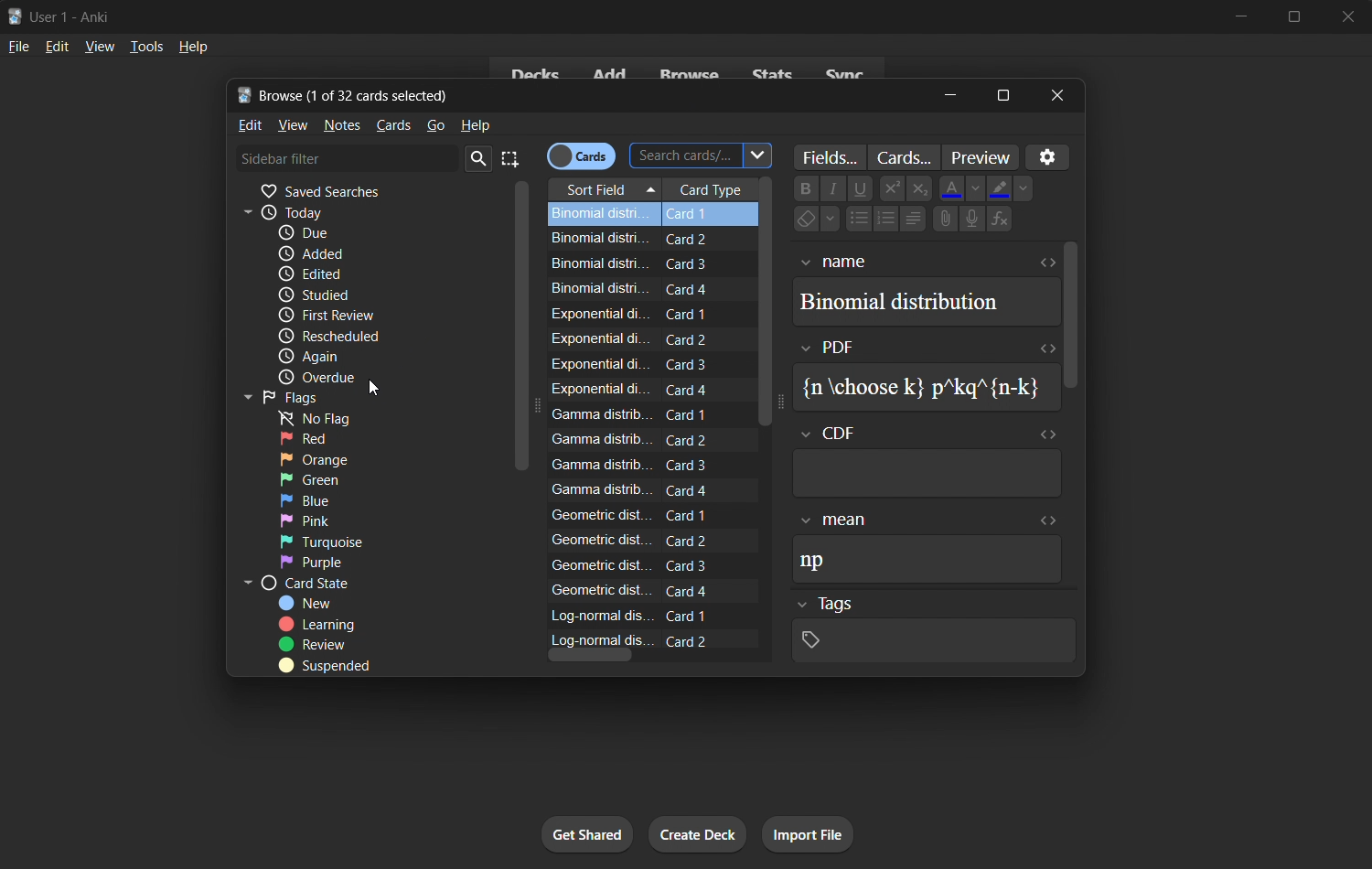 The height and width of the screenshot is (869, 1372). Describe the element at coordinates (372, 295) in the screenshot. I see `studied` at that location.